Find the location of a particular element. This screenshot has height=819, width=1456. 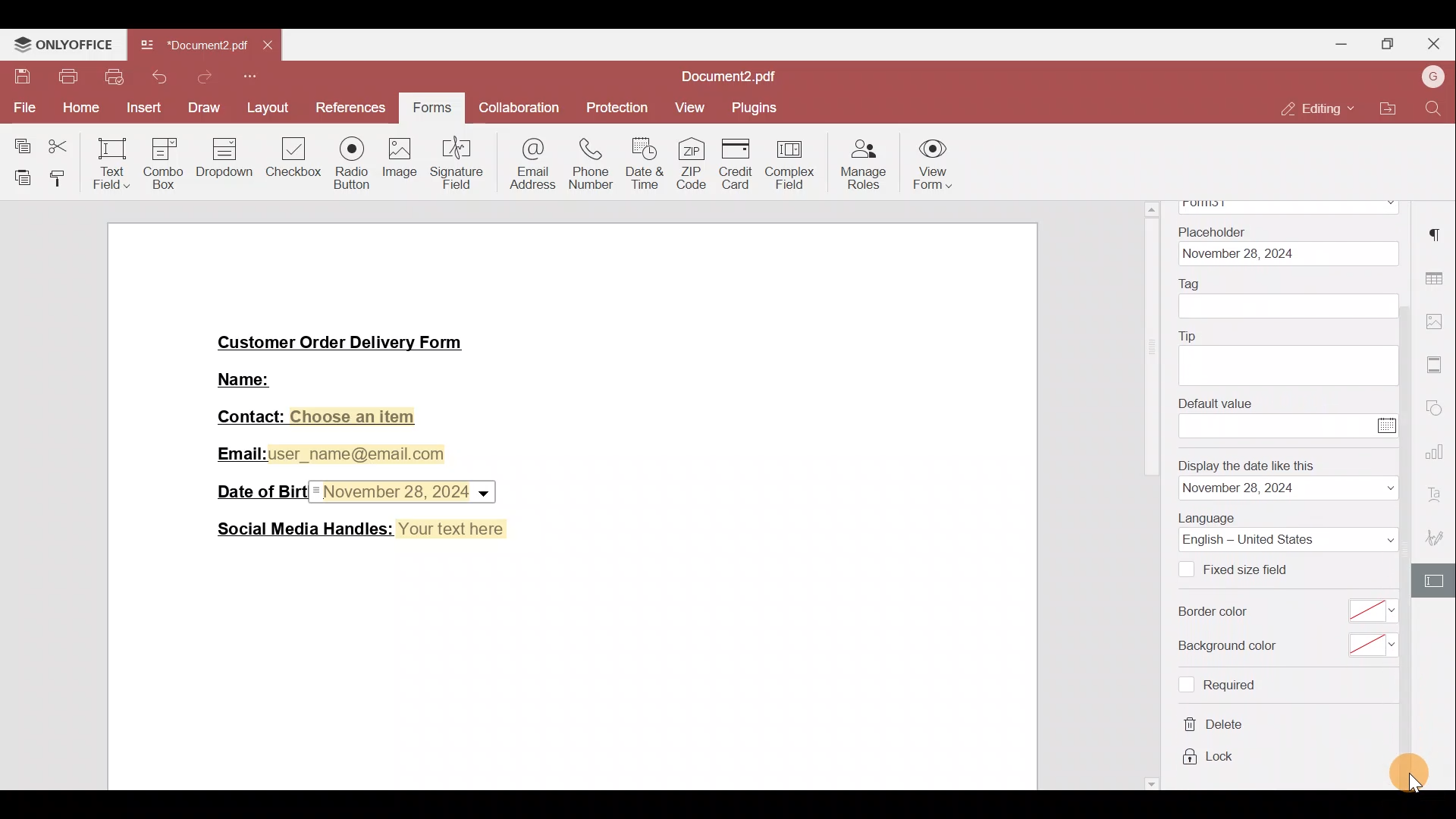

Forms is located at coordinates (430, 109).